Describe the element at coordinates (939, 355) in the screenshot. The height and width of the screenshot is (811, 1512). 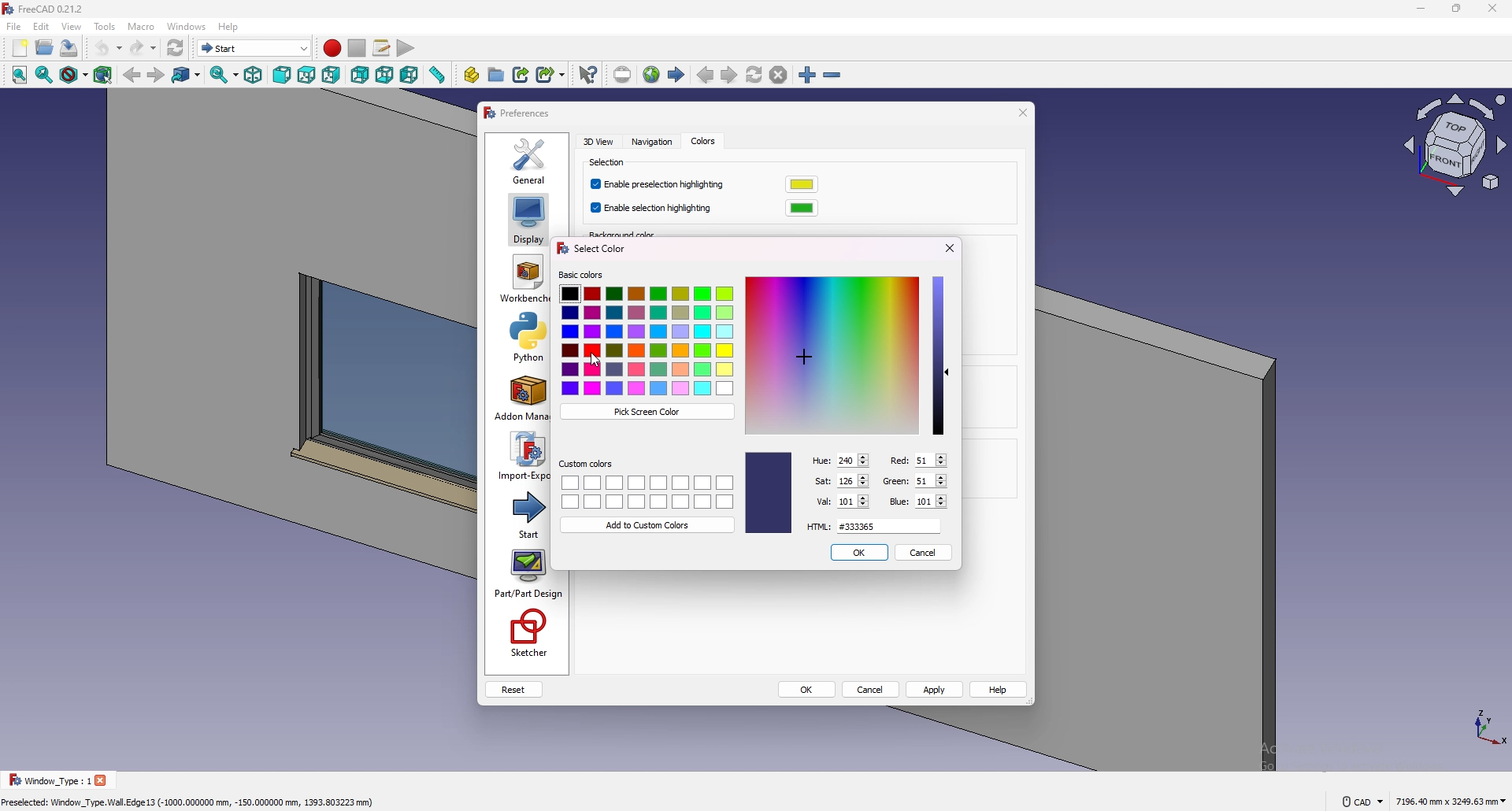
I see `vertical color slider` at that location.